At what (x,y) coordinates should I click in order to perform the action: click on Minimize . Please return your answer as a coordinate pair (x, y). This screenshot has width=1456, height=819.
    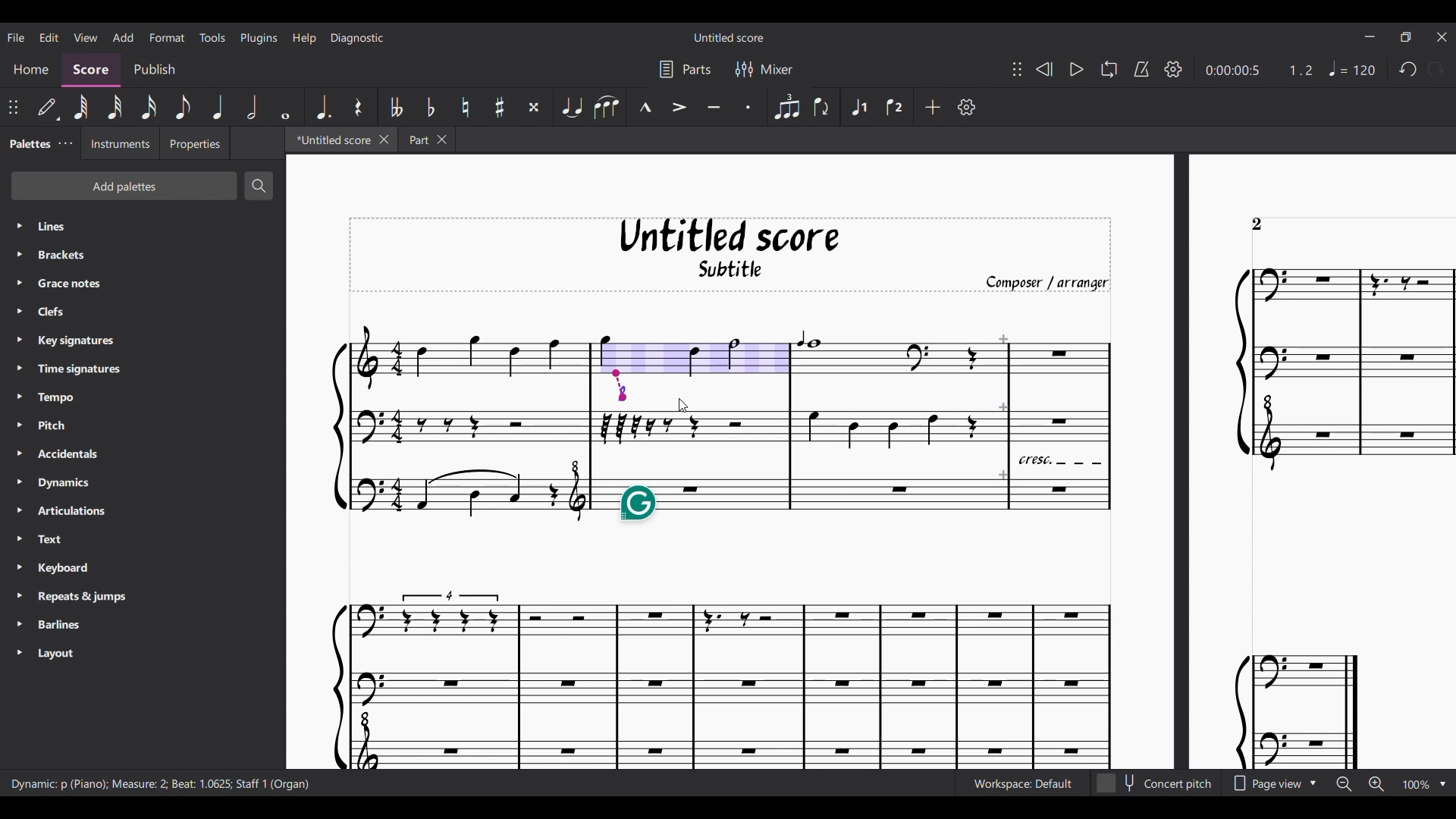
    Looking at the image, I should click on (1370, 36).